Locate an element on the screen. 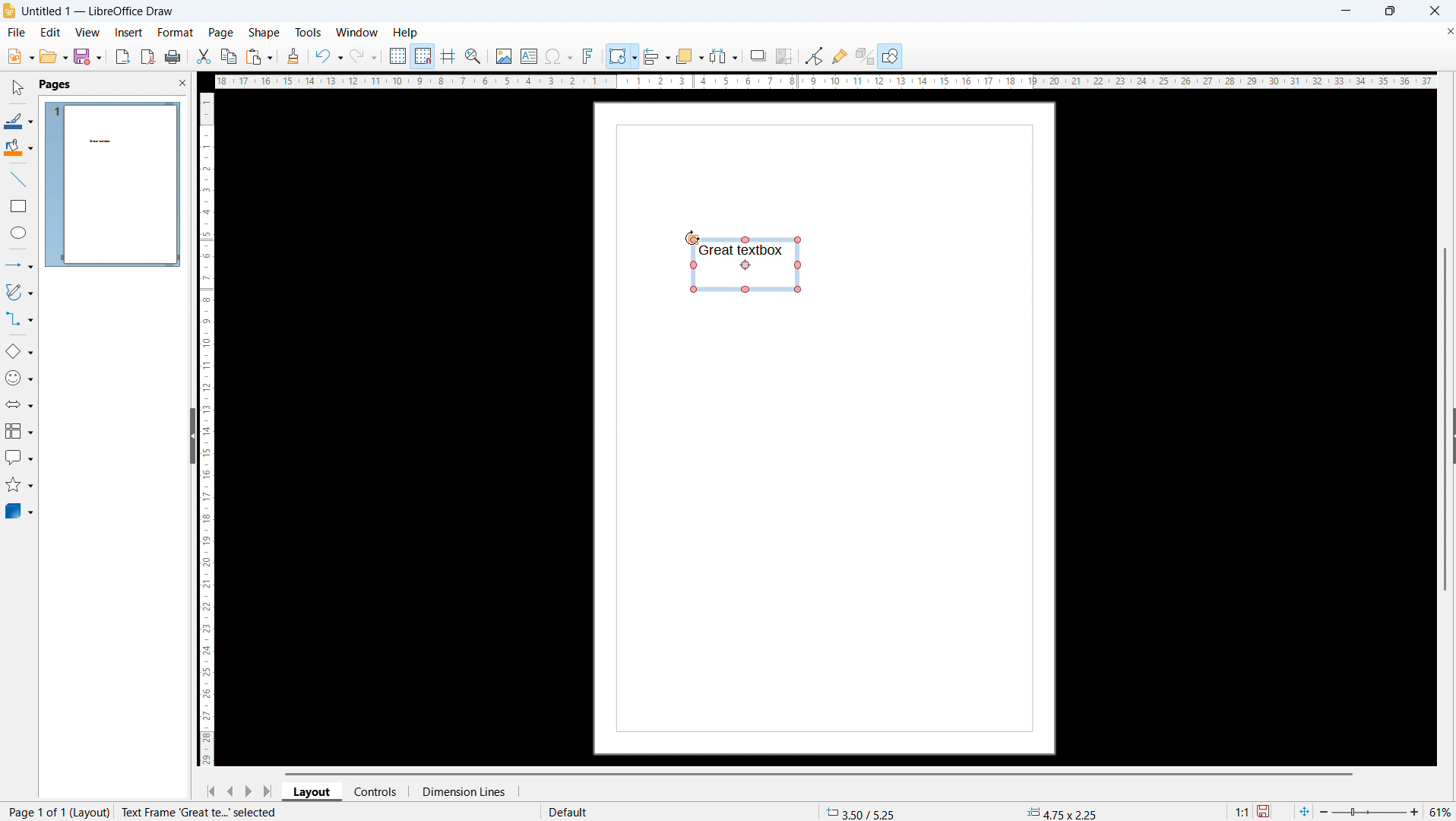 The height and width of the screenshot is (821, 1456). select is located at coordinates (19, 88).